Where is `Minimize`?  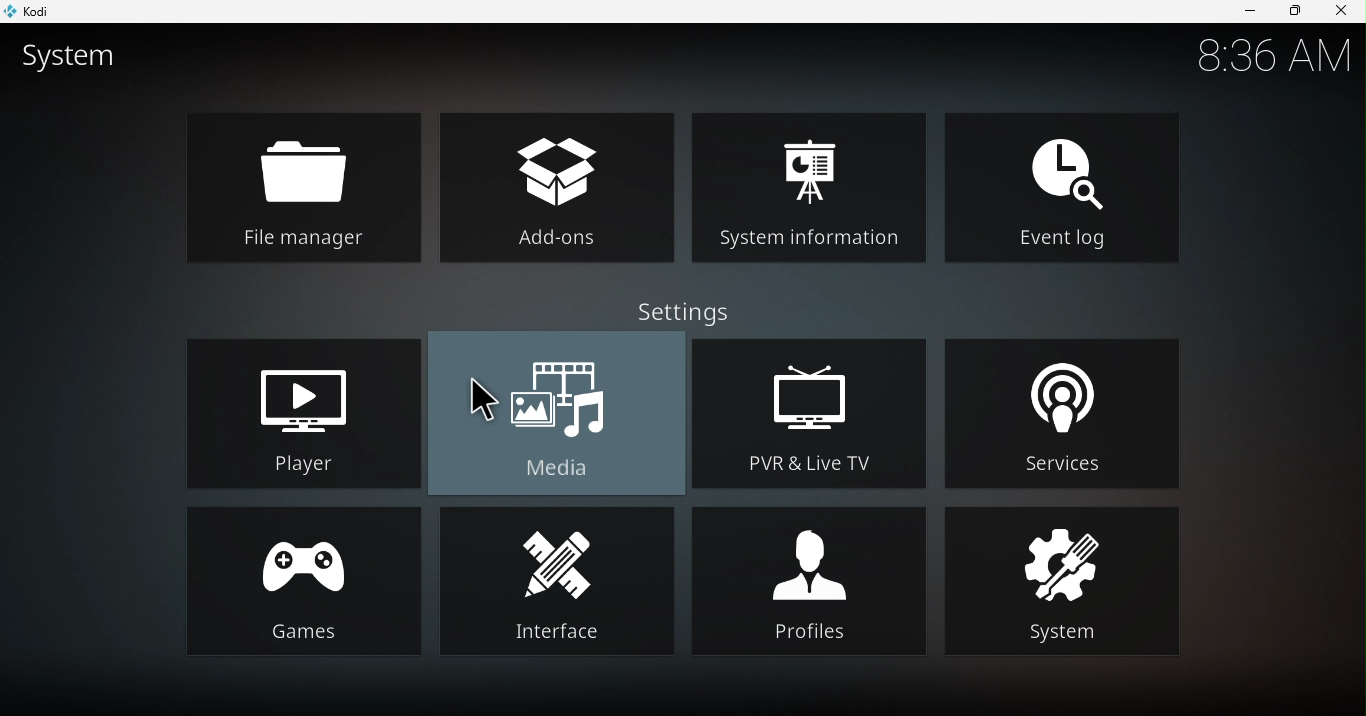
Minimize is located at coordinates (1242, 12).